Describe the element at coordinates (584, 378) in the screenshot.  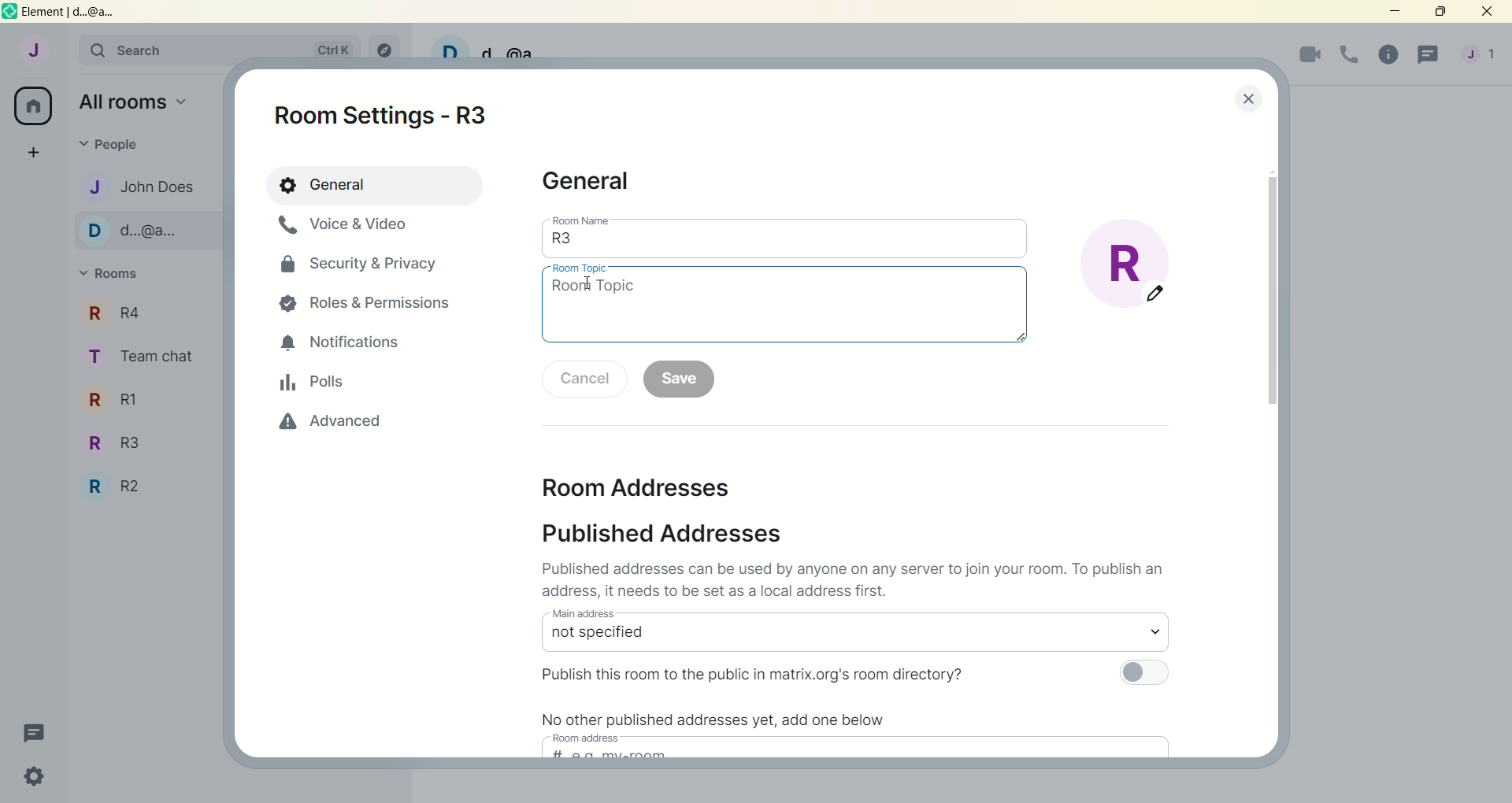
I see `cancel` at that location.